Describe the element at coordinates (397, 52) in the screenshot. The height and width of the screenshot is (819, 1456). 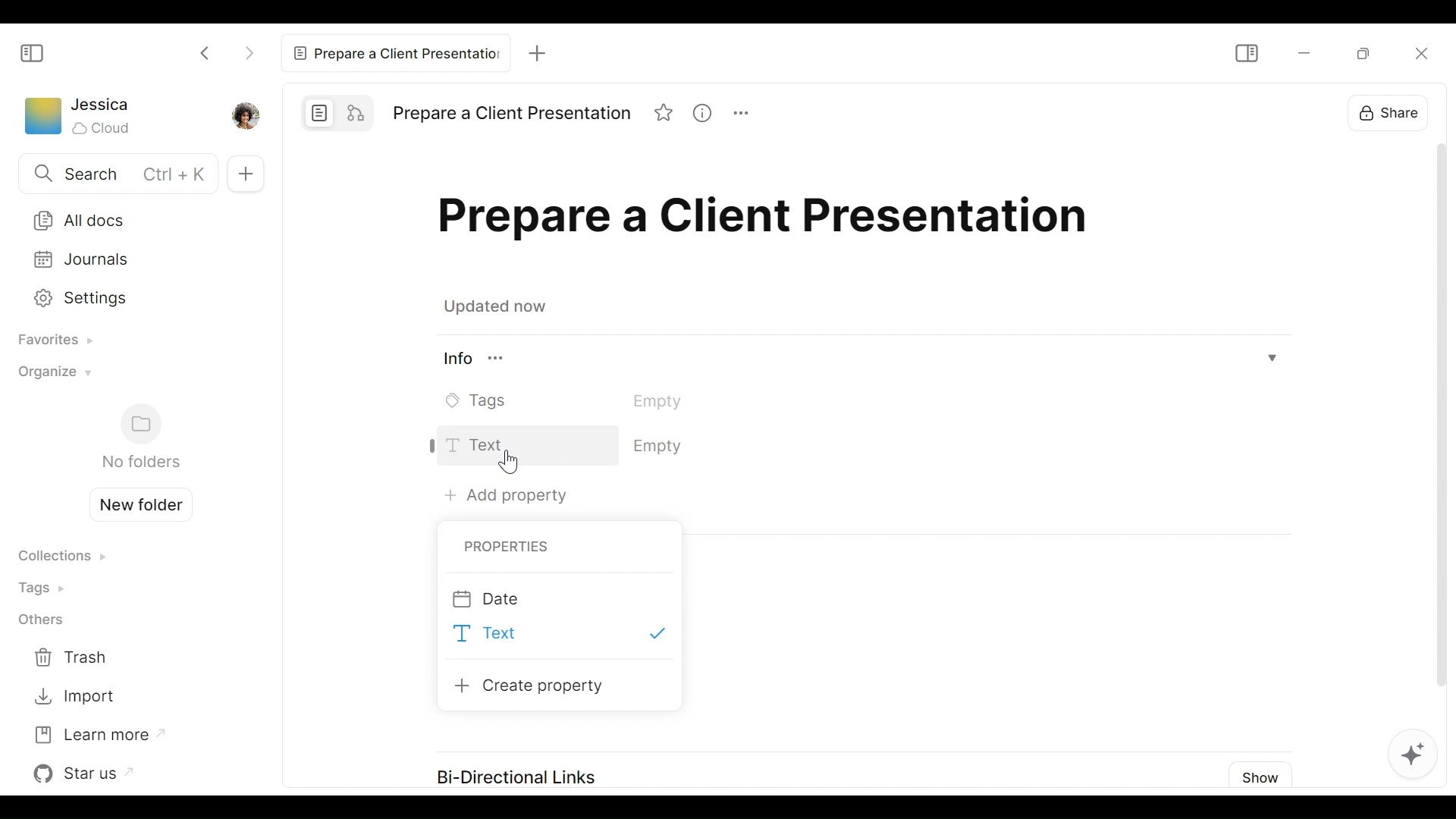
I see `Current tab` at that location.